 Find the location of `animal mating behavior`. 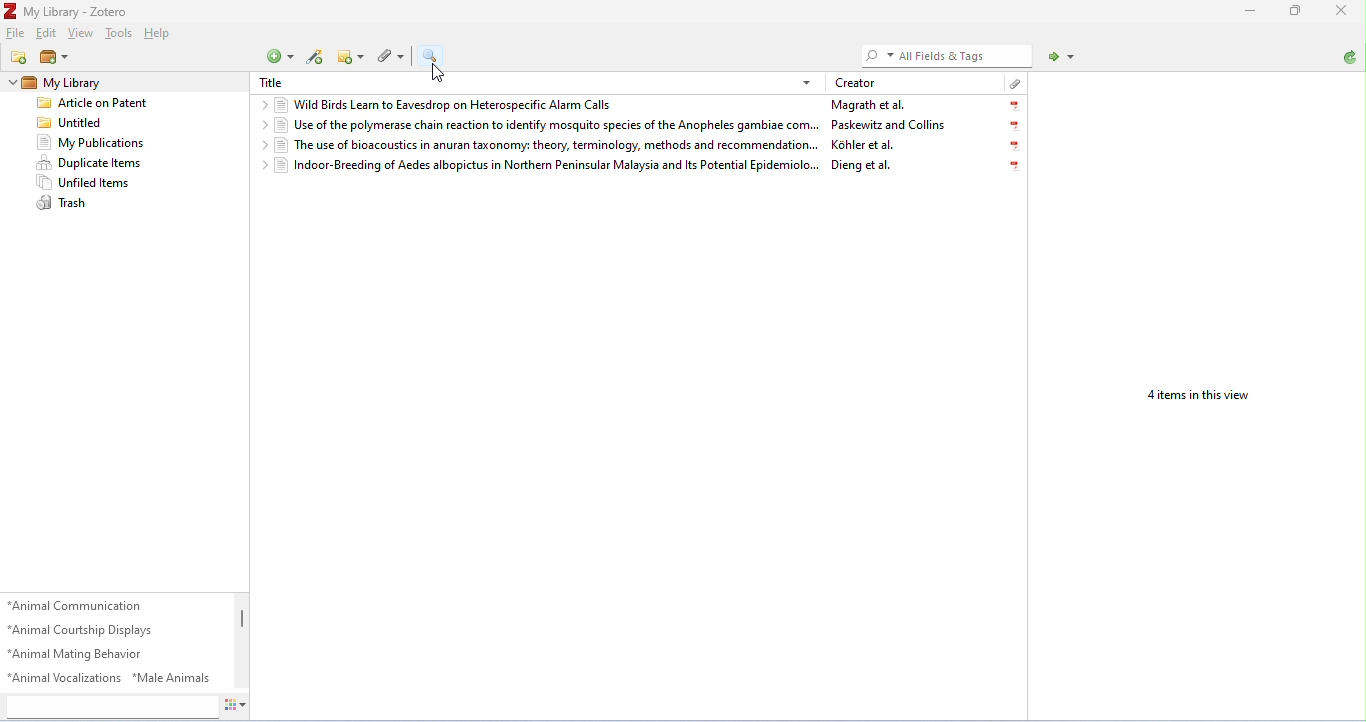

animal mating behavior is located at coordinates (77, 654).